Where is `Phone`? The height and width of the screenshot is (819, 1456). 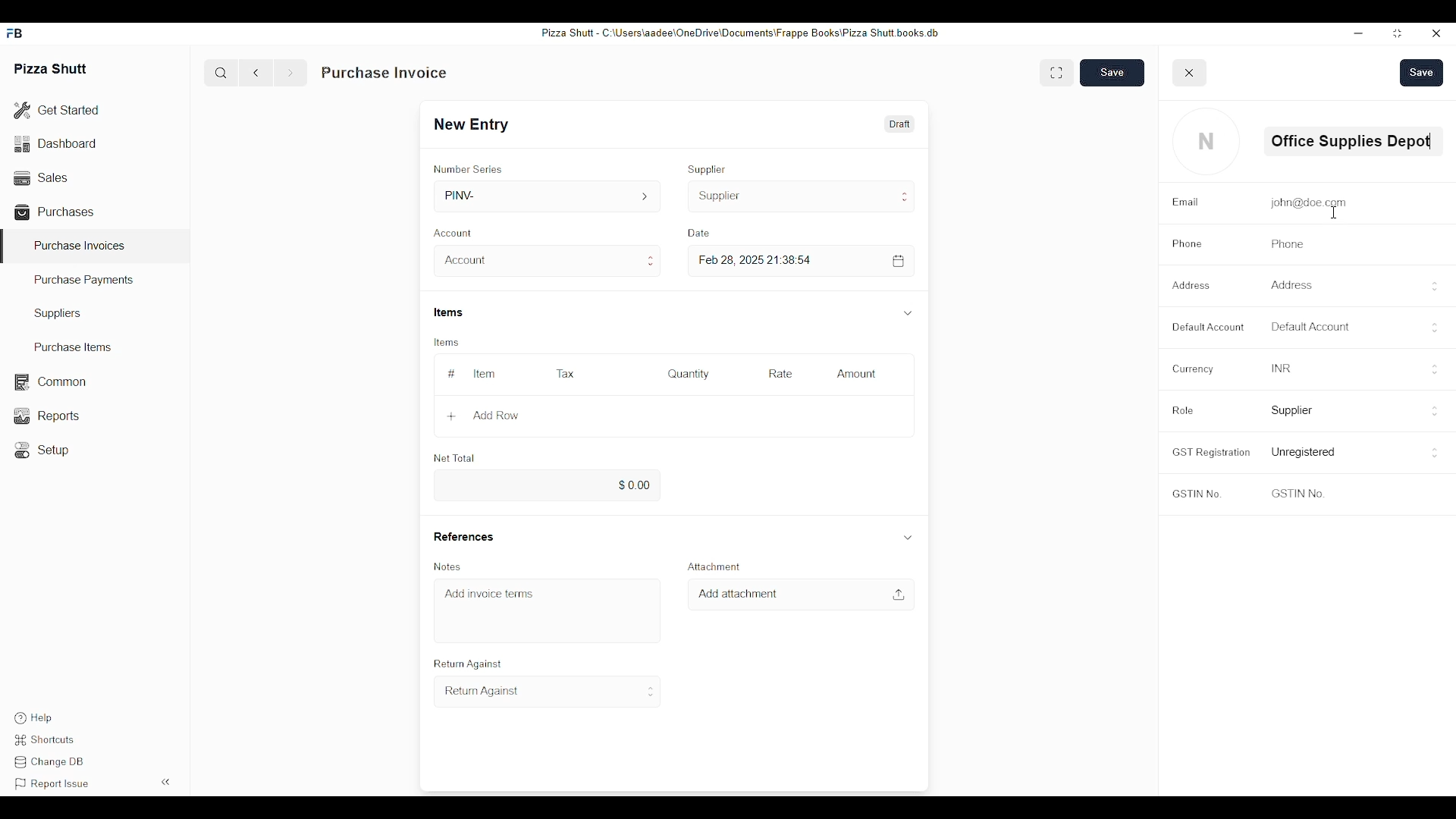
Phone is located at coordinates (1284, 244).